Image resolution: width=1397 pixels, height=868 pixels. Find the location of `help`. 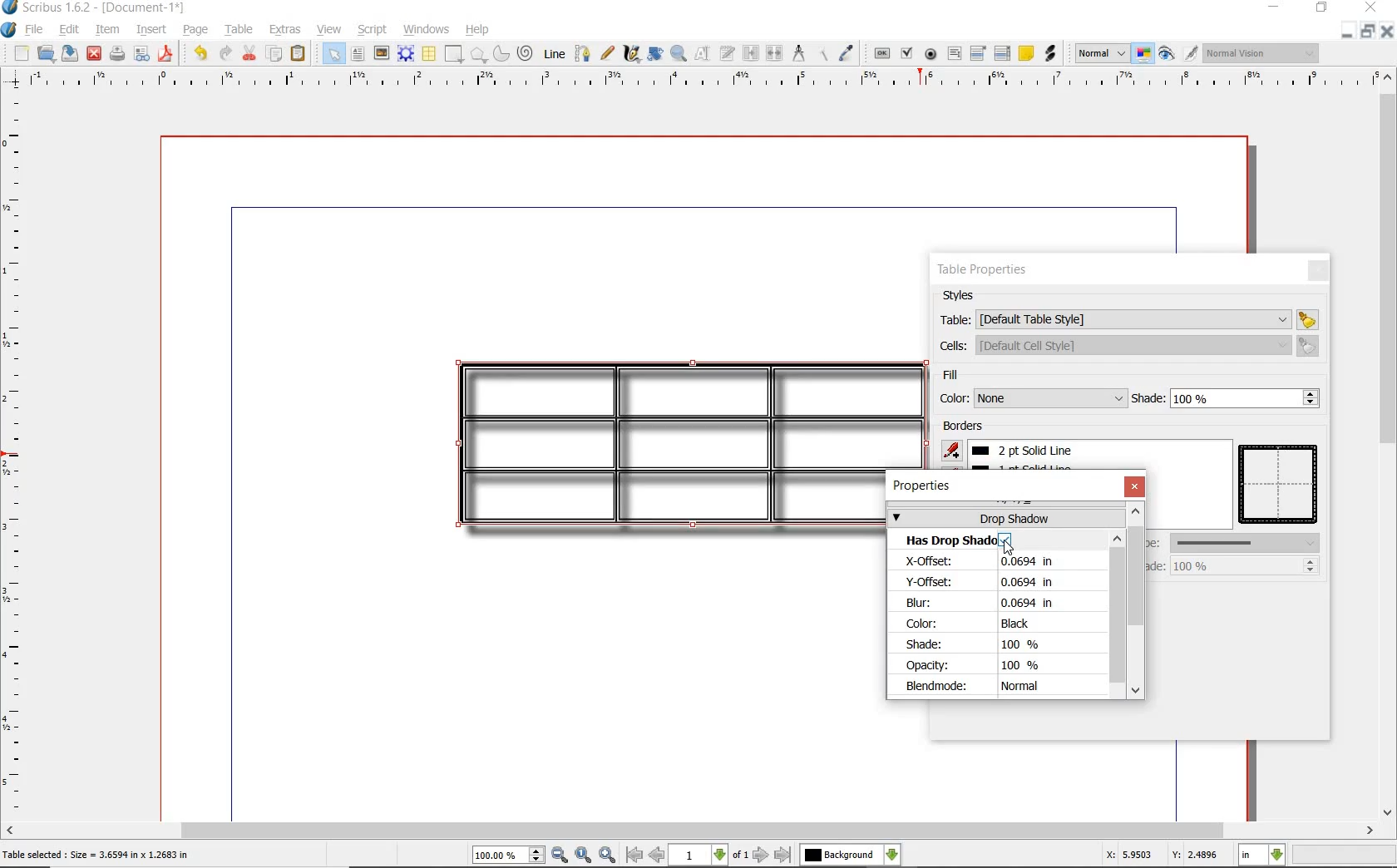

help is located at coordinates (476, 31).